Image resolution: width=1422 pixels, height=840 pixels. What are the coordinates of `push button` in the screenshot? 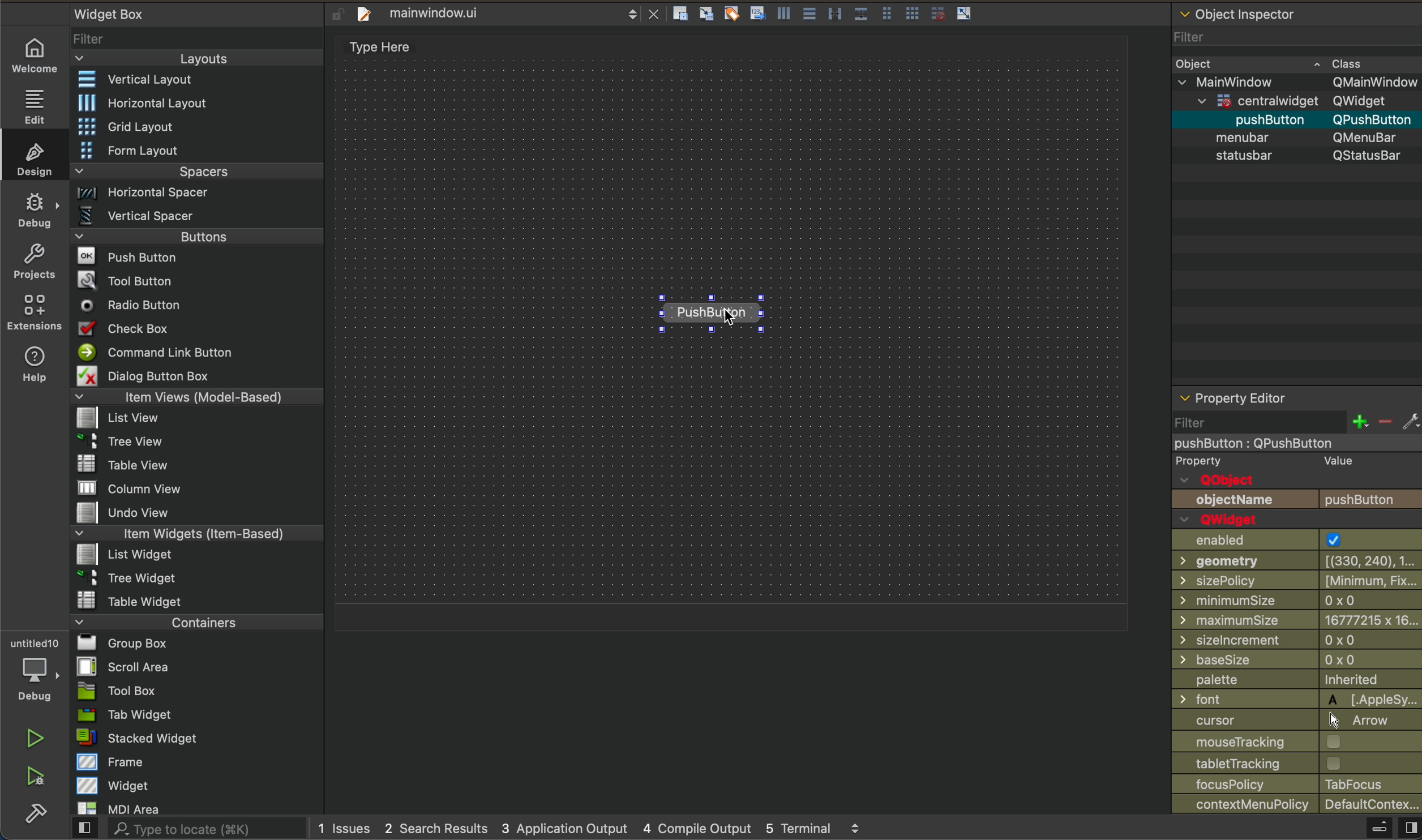 It's located at (1215, 121).